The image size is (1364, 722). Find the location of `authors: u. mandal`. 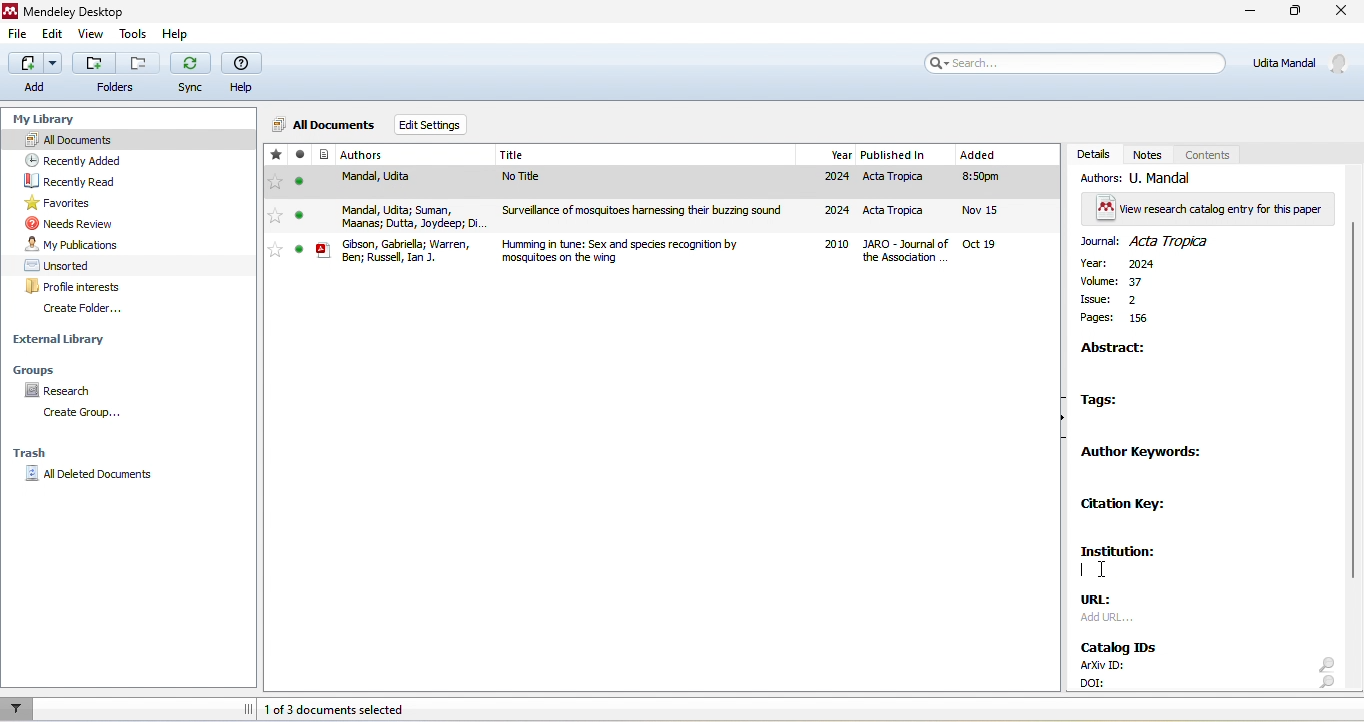

authors: u. mandal is located at coordinates (1145, 178).